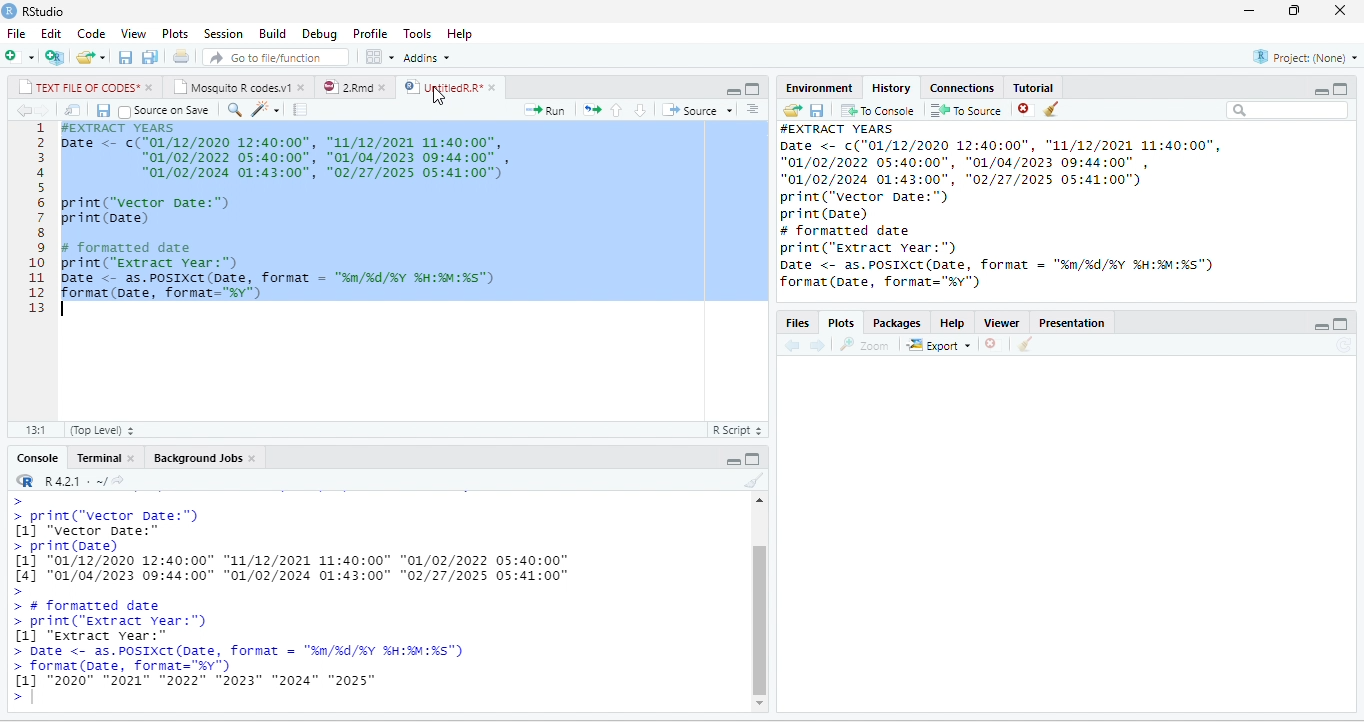 This screenshot has height=722, width=1364. Describe the element at coordinates (253, 458) in the screenshot. I see `close` at that location.